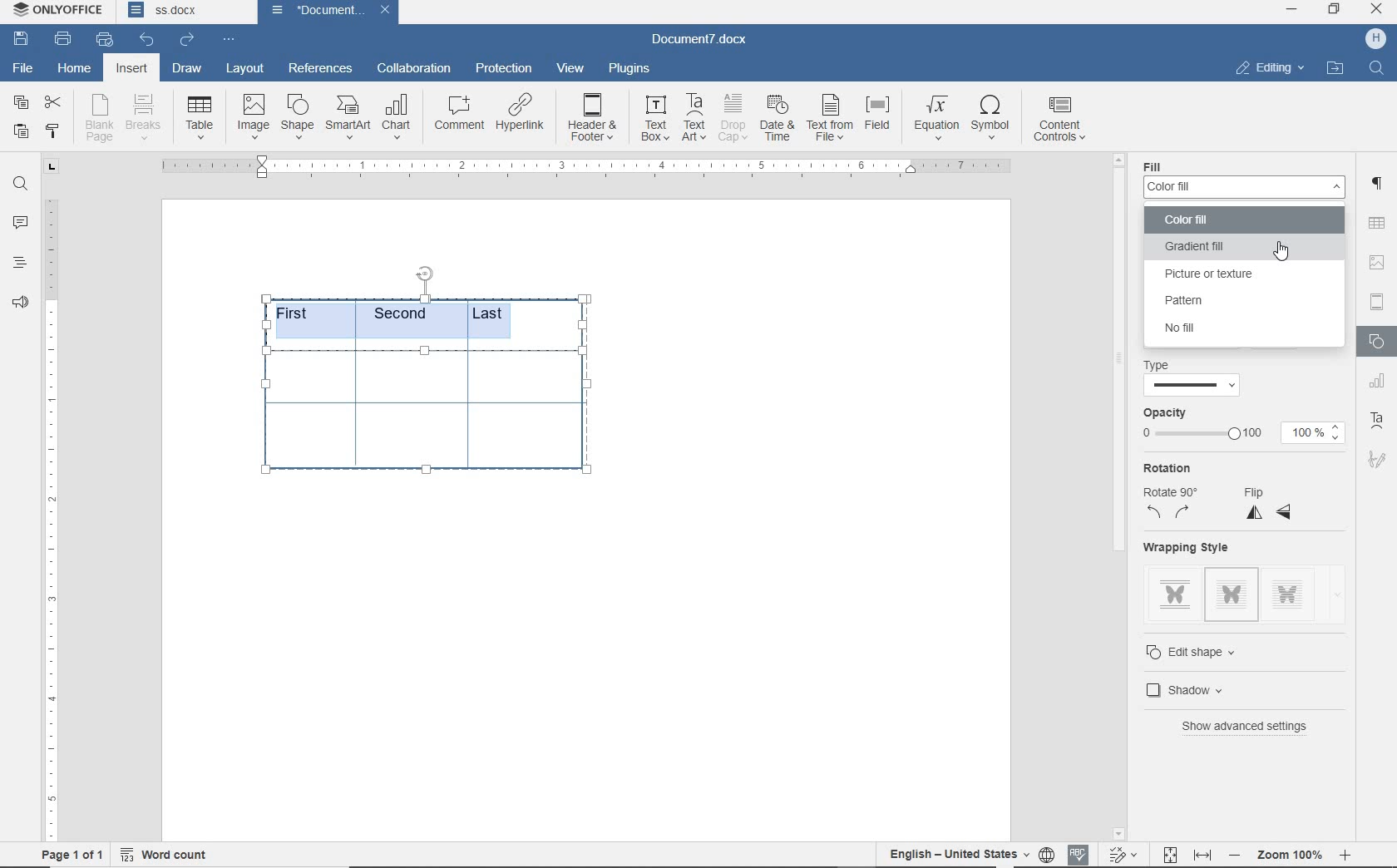 The image size is (1397, 868). I want to click on wrapping style, so click(1194, 547).